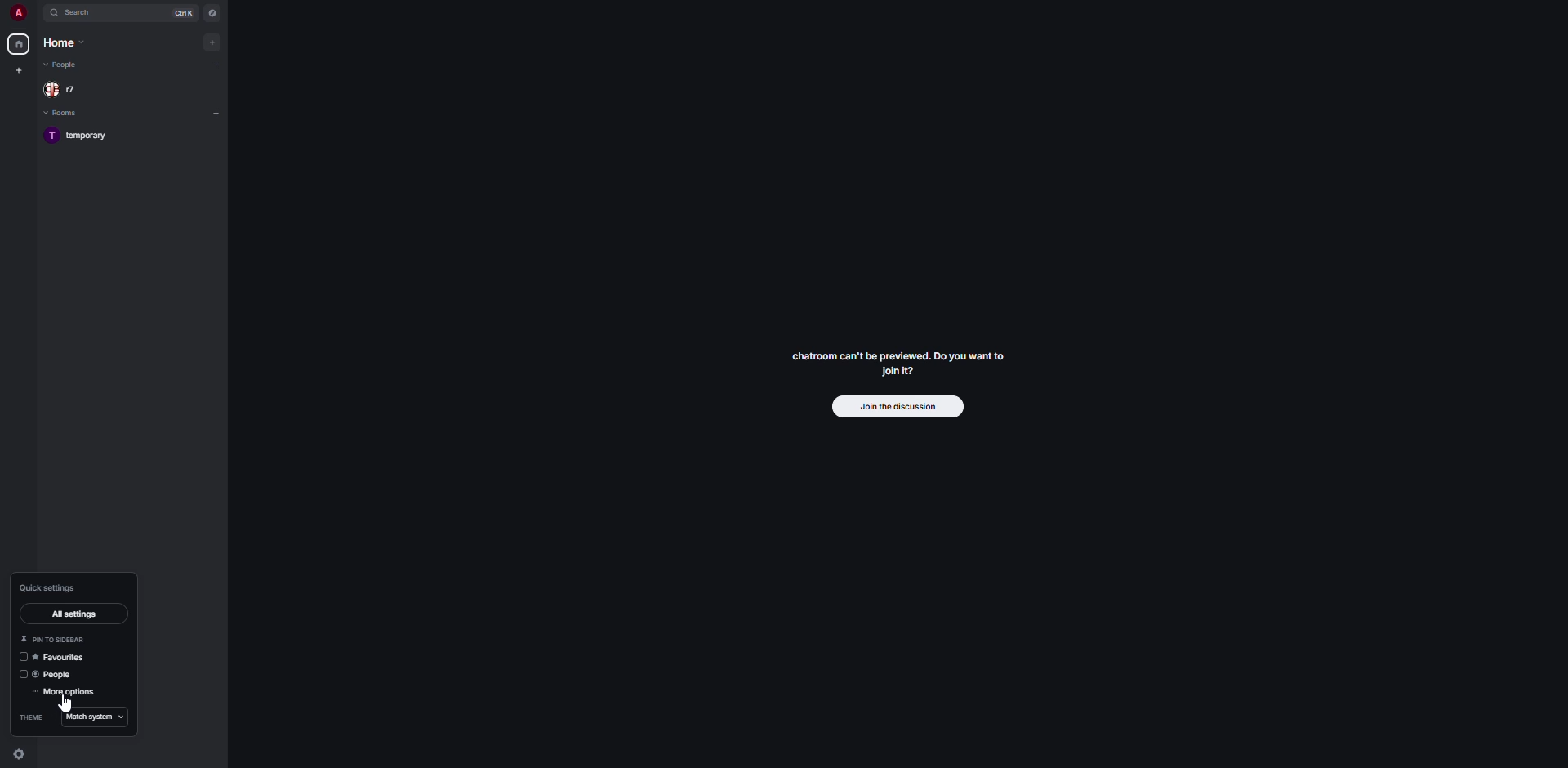 The width and height of the screenshot is (1568, 768). What do you see at coordinates (20, 44) in the screenshot?
I see `home` at bounding box center [20, 44].